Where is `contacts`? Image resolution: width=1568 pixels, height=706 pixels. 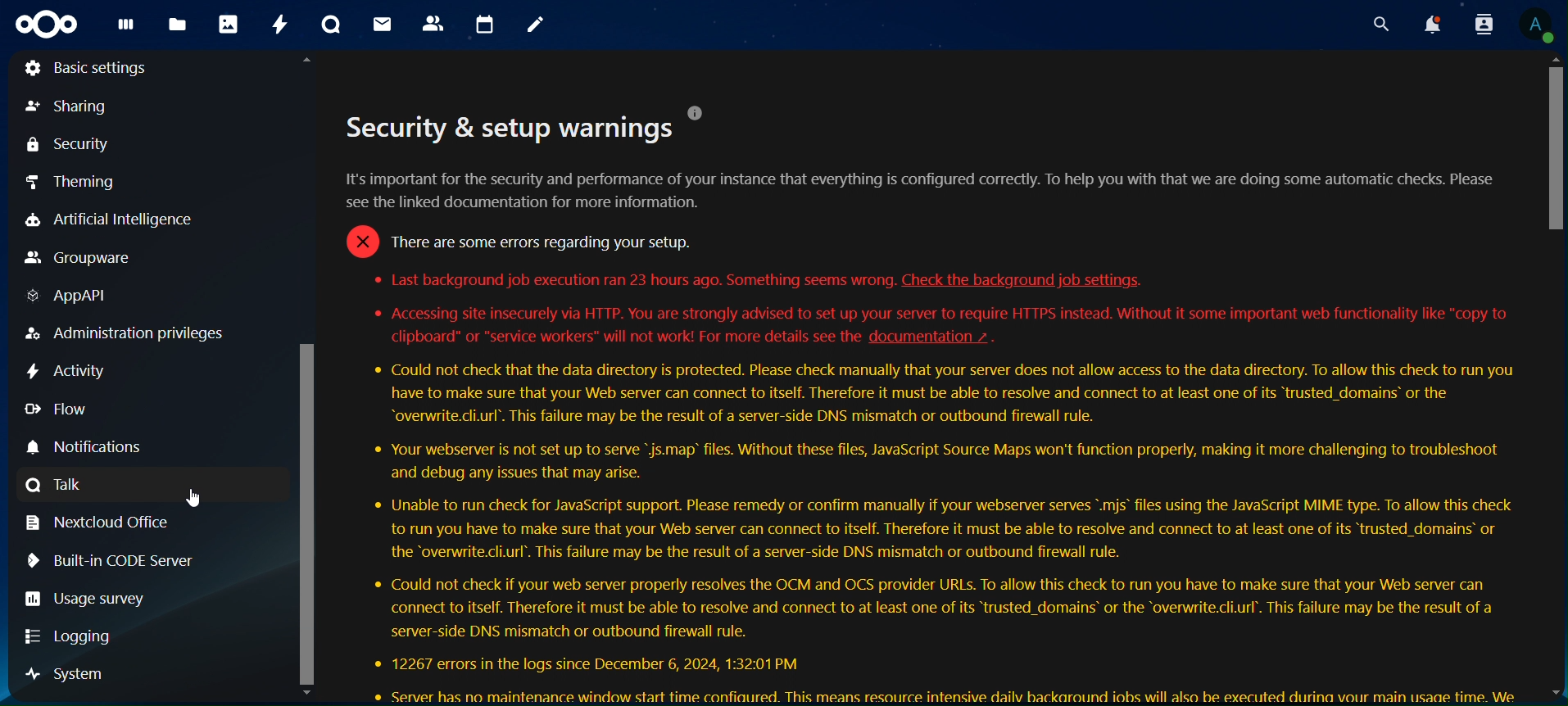 contacts is located at coordinates (433, 23).